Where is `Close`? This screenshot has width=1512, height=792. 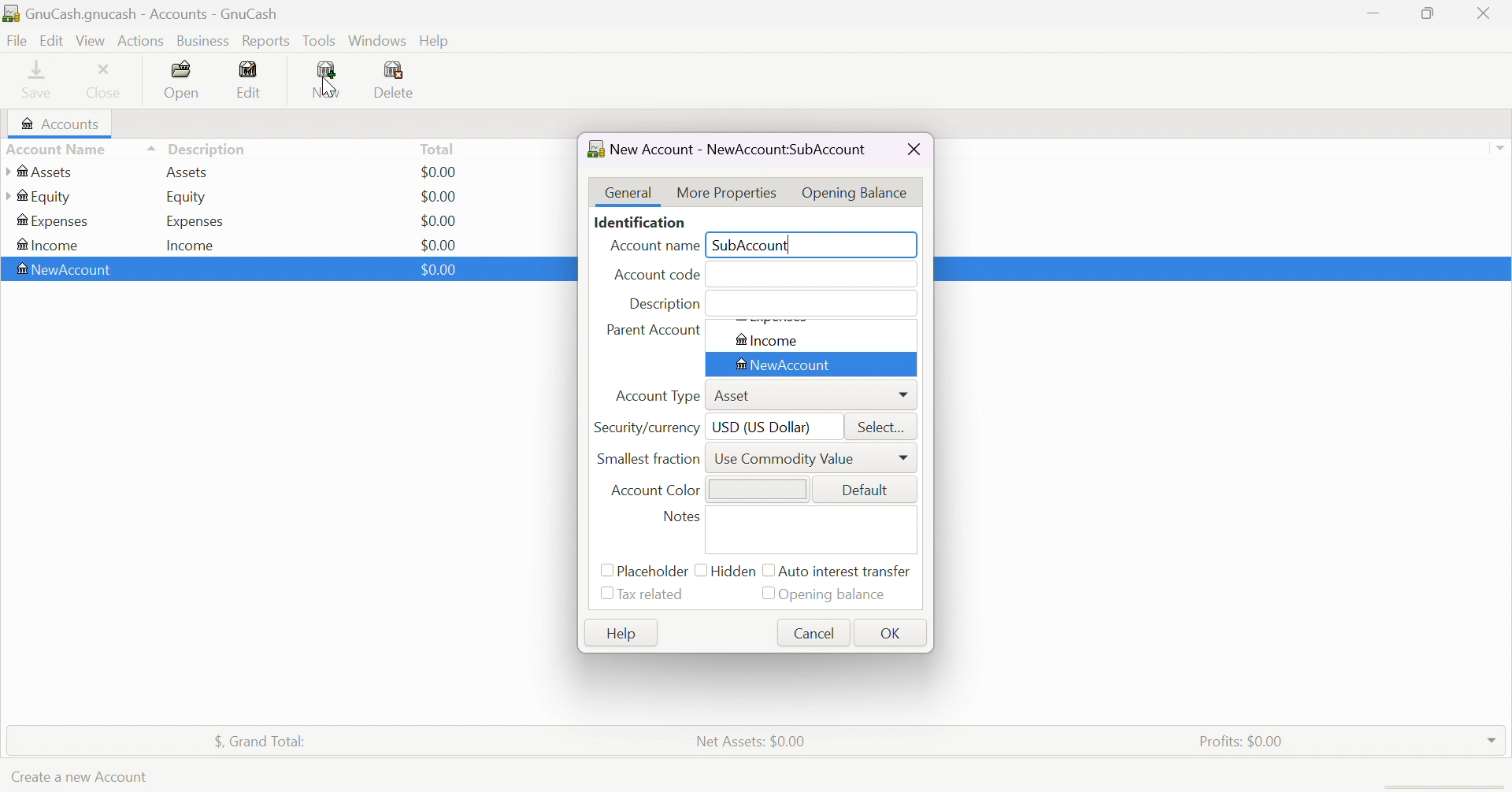 Close is located at coordinates (916, 149).